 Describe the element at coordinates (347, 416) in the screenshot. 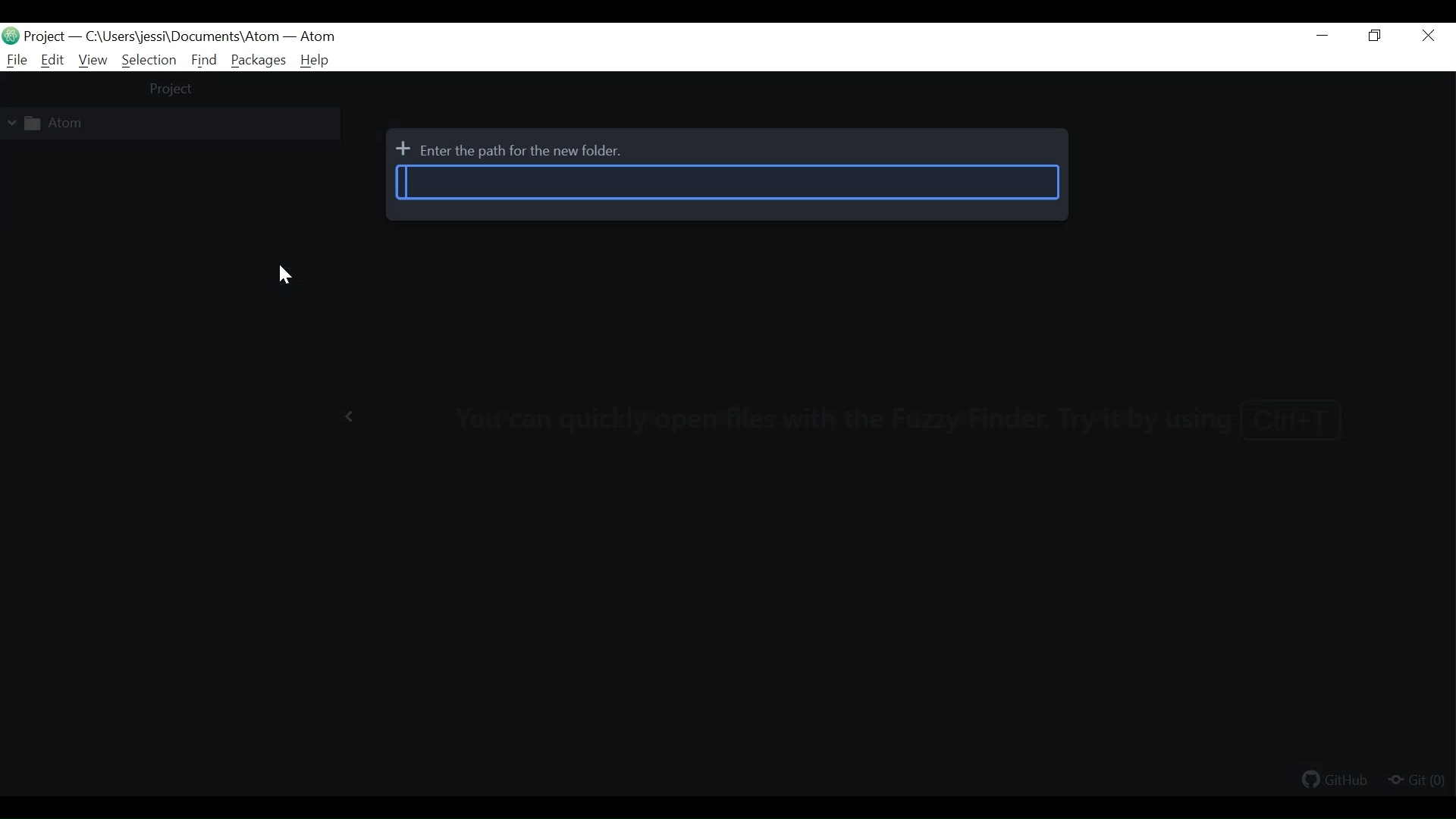

I see `expand` at that location.